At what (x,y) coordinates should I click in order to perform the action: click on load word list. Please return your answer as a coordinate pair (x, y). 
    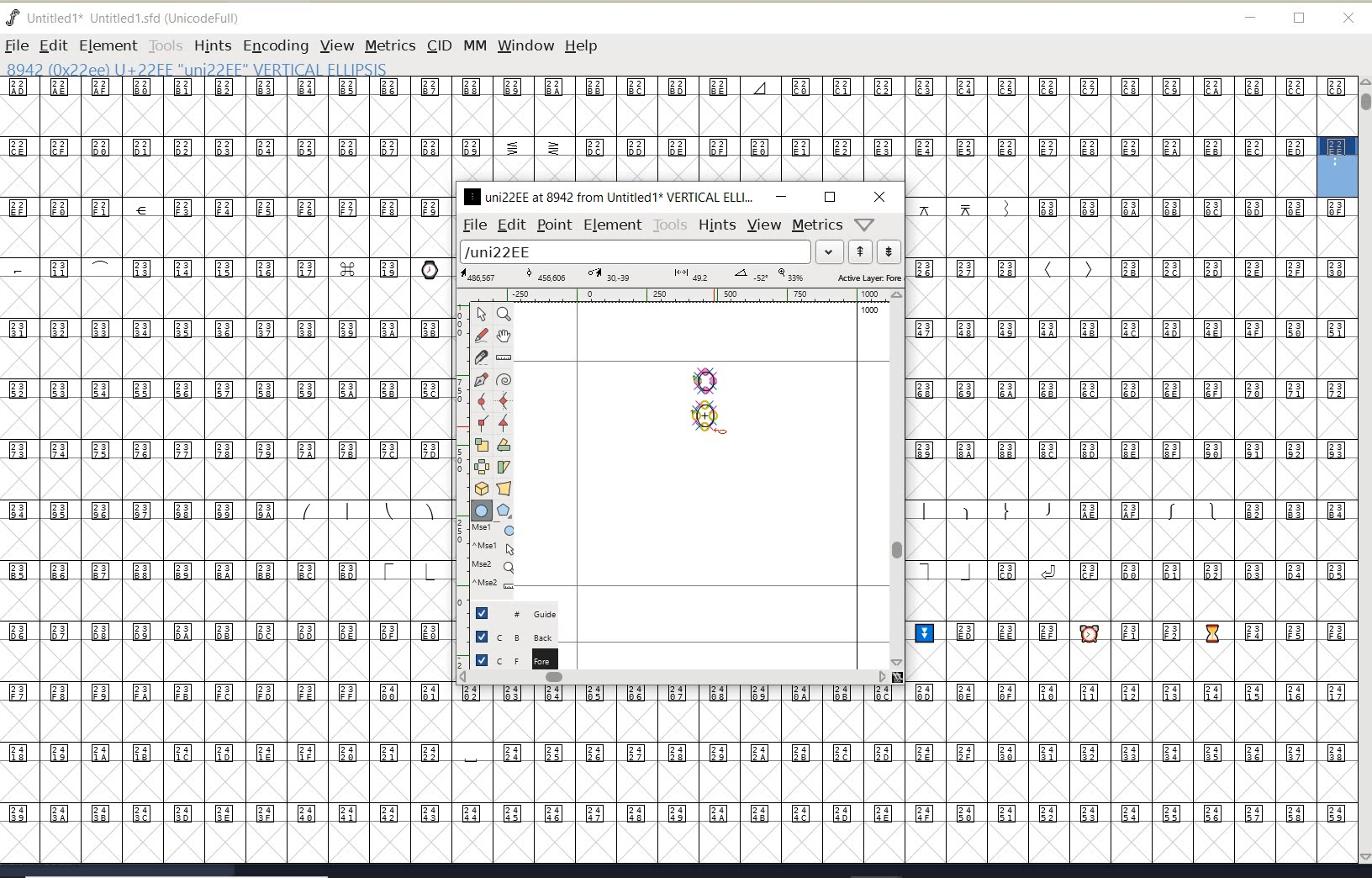
    Looking at the image, I should click on (648, 253).